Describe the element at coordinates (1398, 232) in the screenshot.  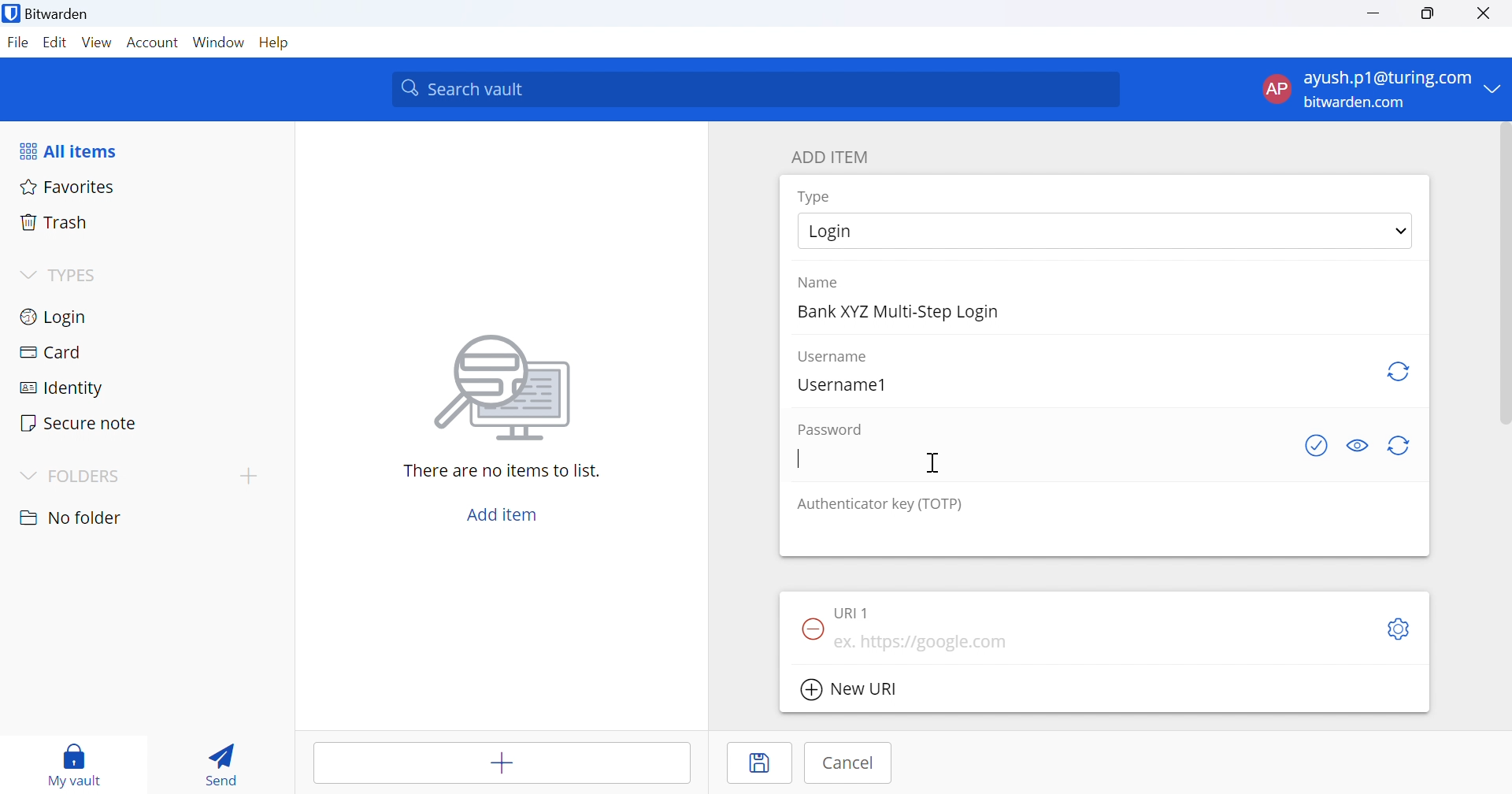
I see `Drop Down` at that location.